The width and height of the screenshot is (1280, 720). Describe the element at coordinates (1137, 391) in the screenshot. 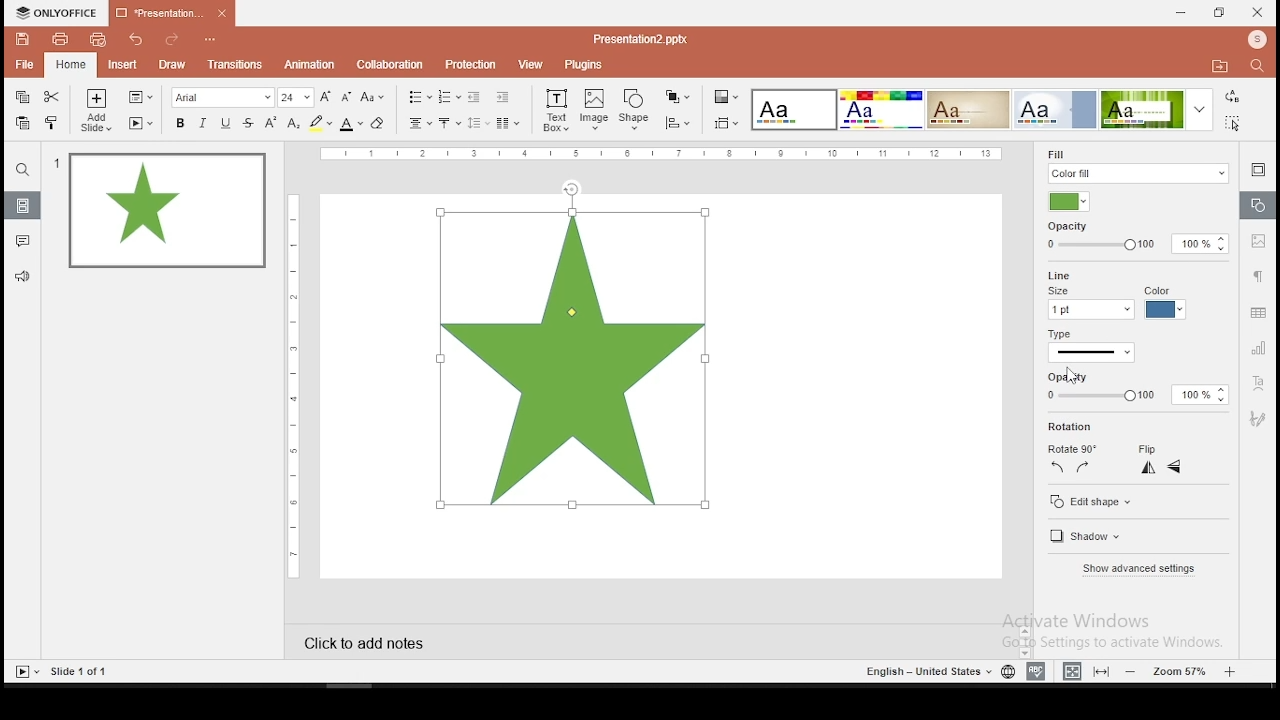

I see `opacity` at that location.